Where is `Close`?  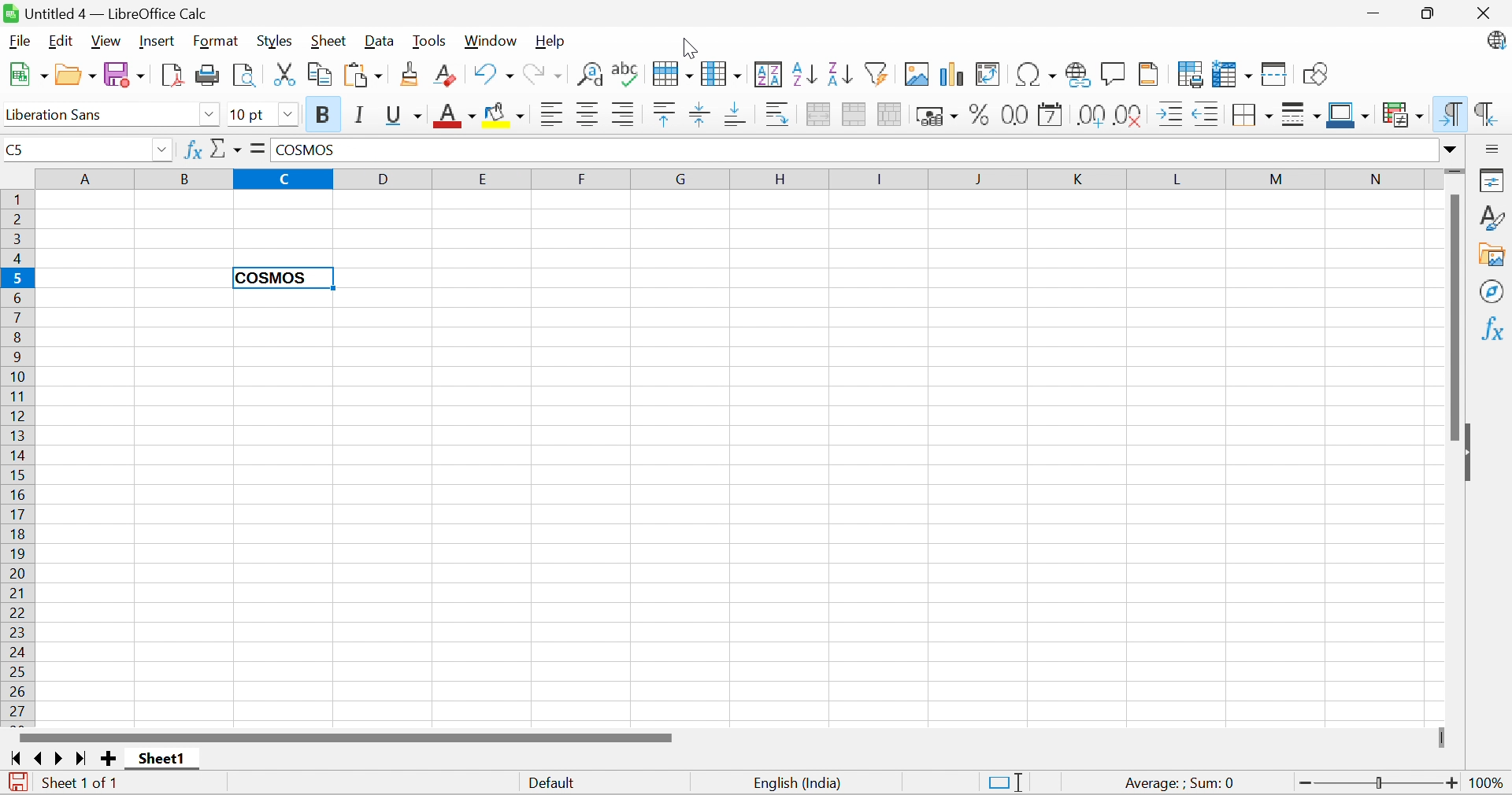 Close is located at coordinates (1486, 14).